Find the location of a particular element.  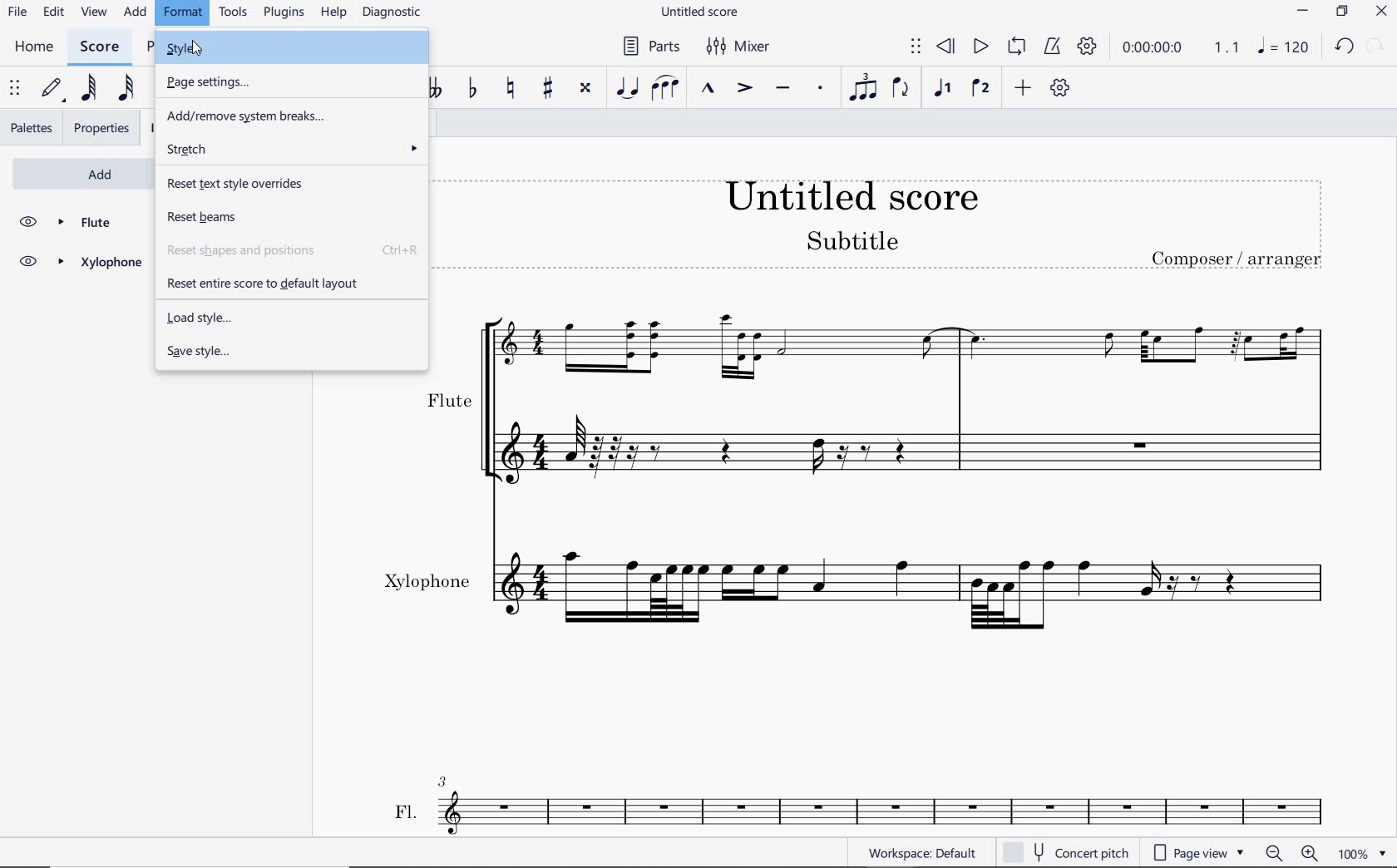

FLIP DIRECTION is located at coordinates (901, 91).